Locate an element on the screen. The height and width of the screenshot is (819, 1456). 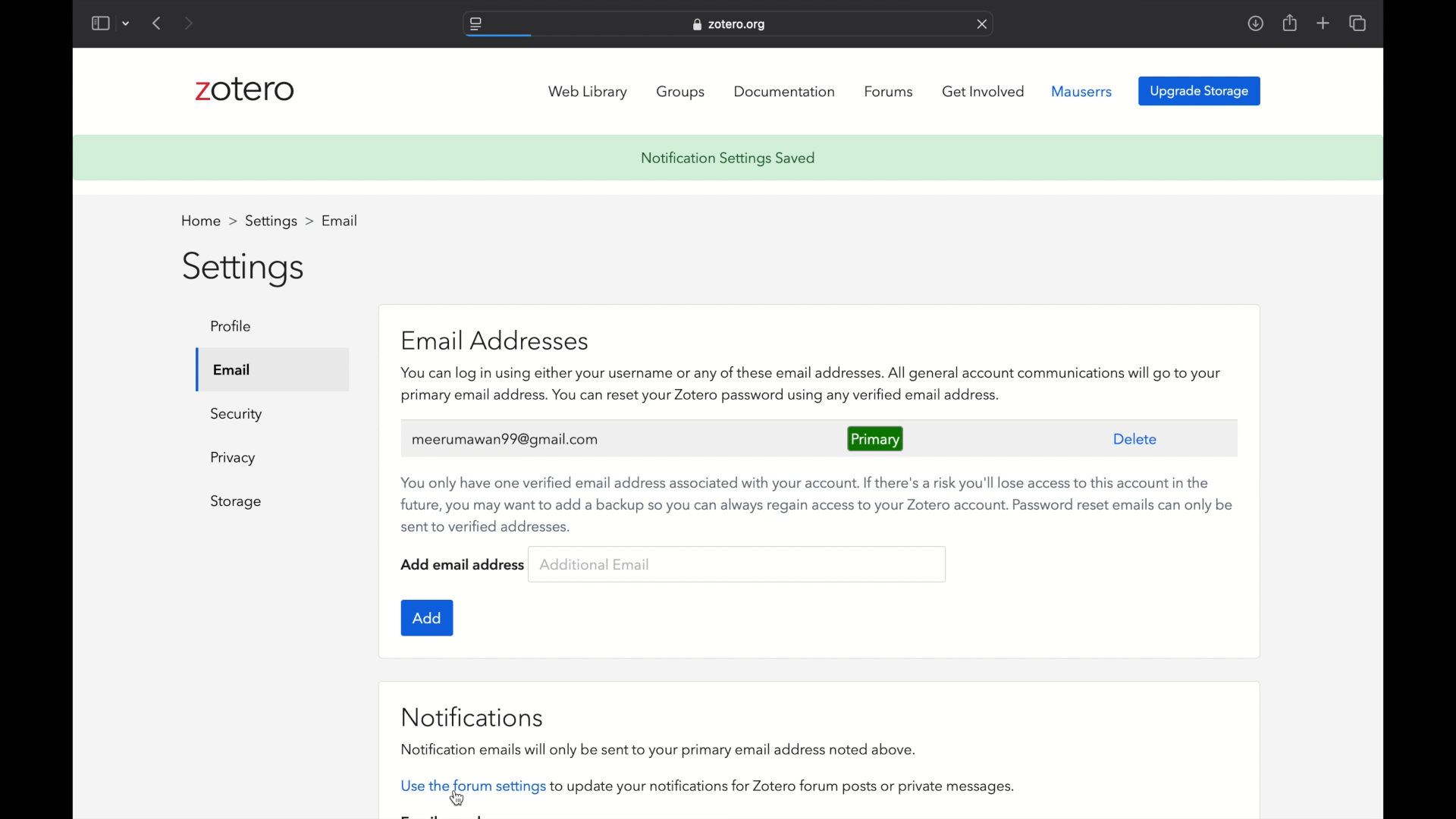
upgrade storage is located at coordinates (1200, 90).